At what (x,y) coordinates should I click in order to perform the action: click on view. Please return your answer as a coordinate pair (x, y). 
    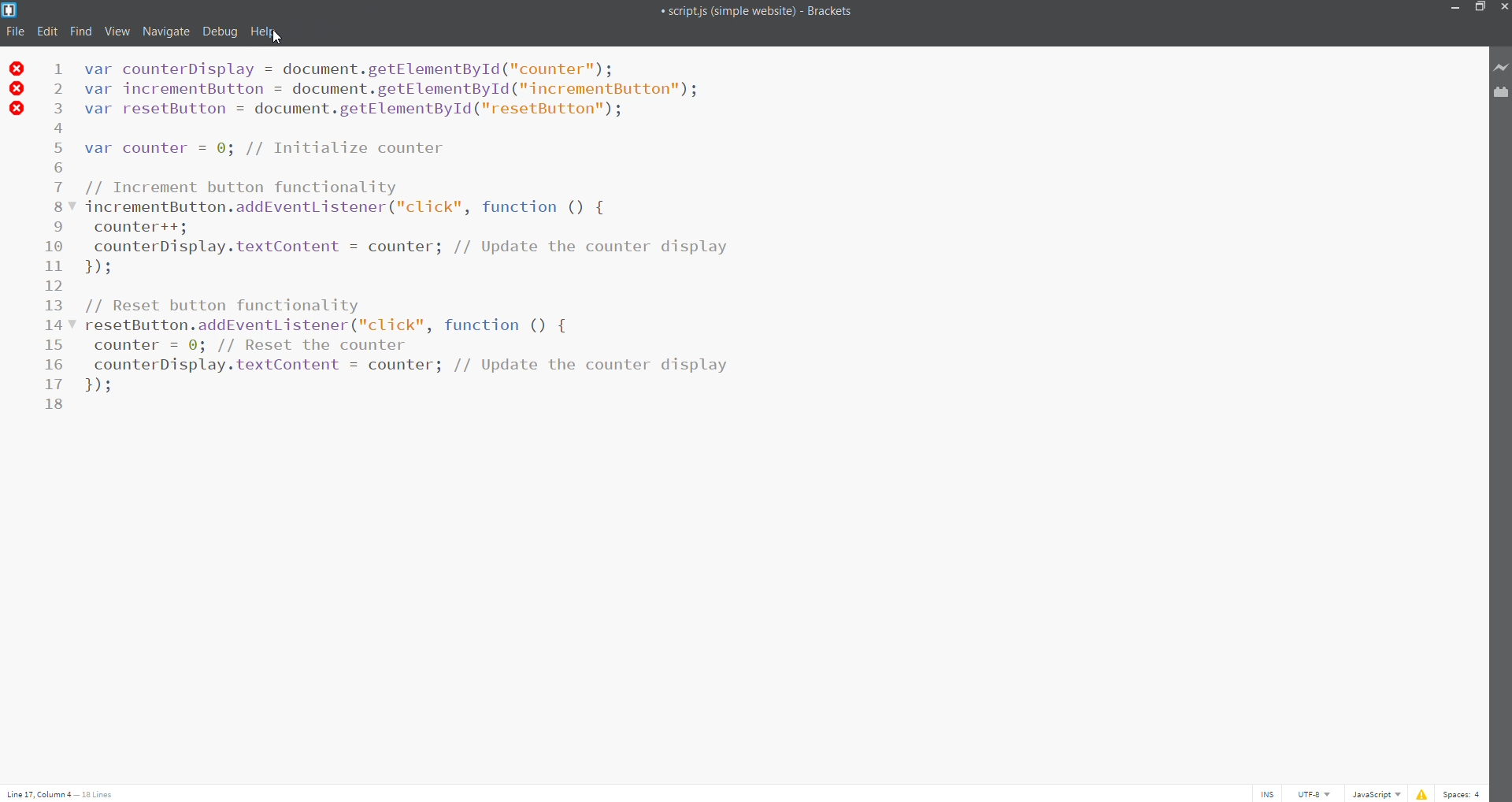
    Looking at the image, I should click on (113, 32).